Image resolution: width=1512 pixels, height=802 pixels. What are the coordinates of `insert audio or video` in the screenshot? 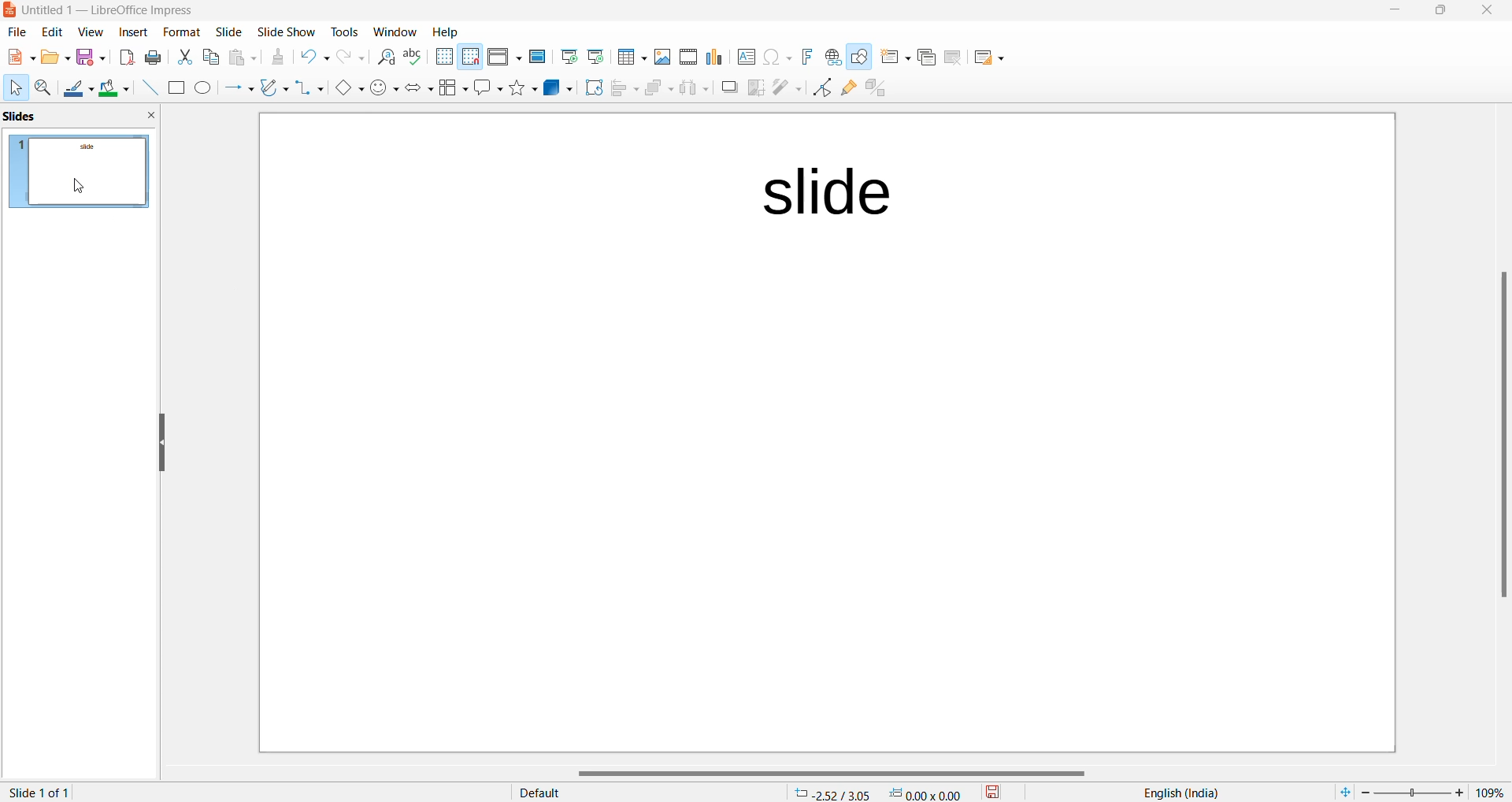 It's located at (687, 58).